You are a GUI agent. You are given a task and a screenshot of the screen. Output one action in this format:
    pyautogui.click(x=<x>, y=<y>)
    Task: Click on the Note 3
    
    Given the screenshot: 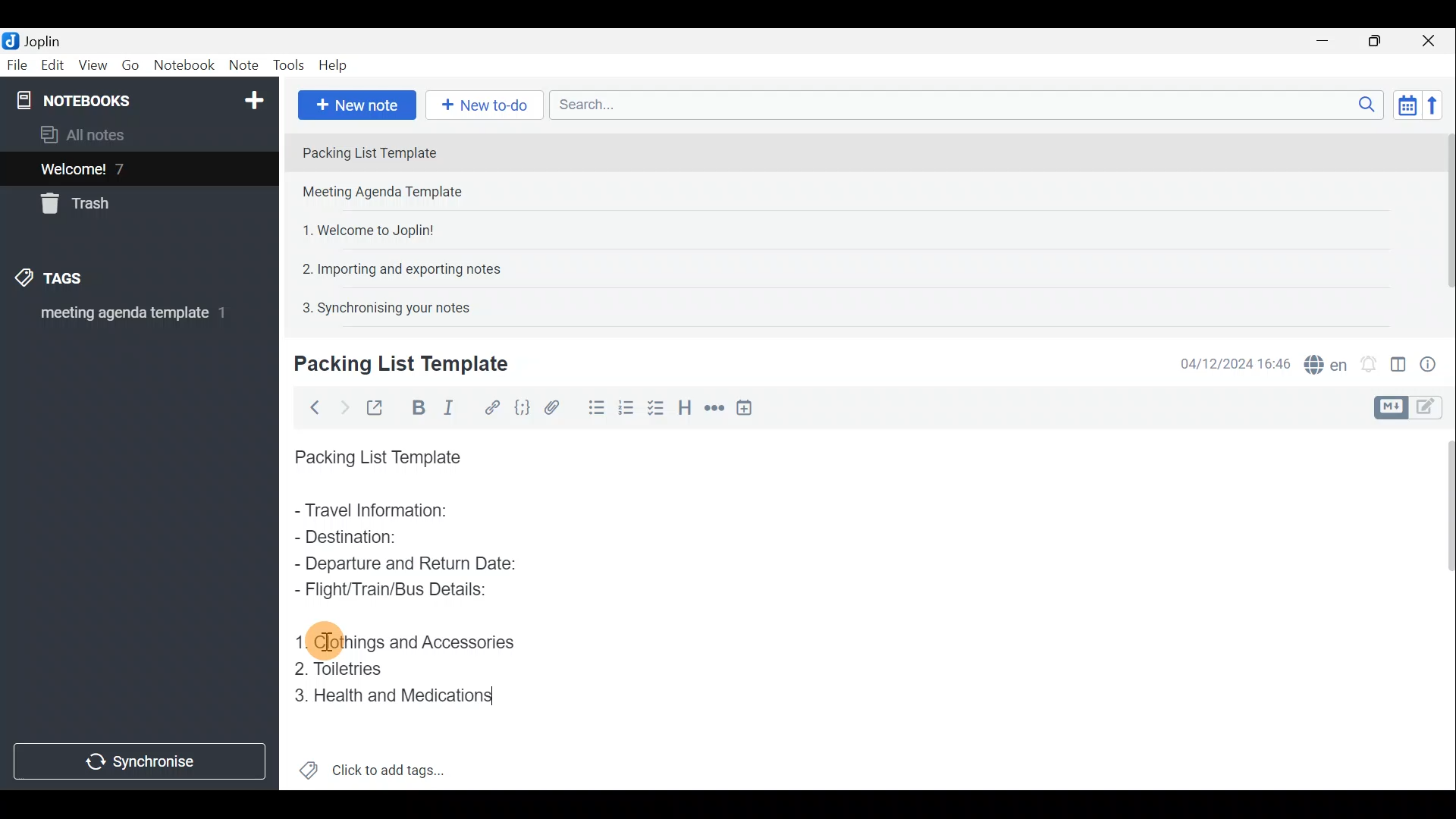 What is the action you would take?
    pyautogui.click(x=362, y=228)
    